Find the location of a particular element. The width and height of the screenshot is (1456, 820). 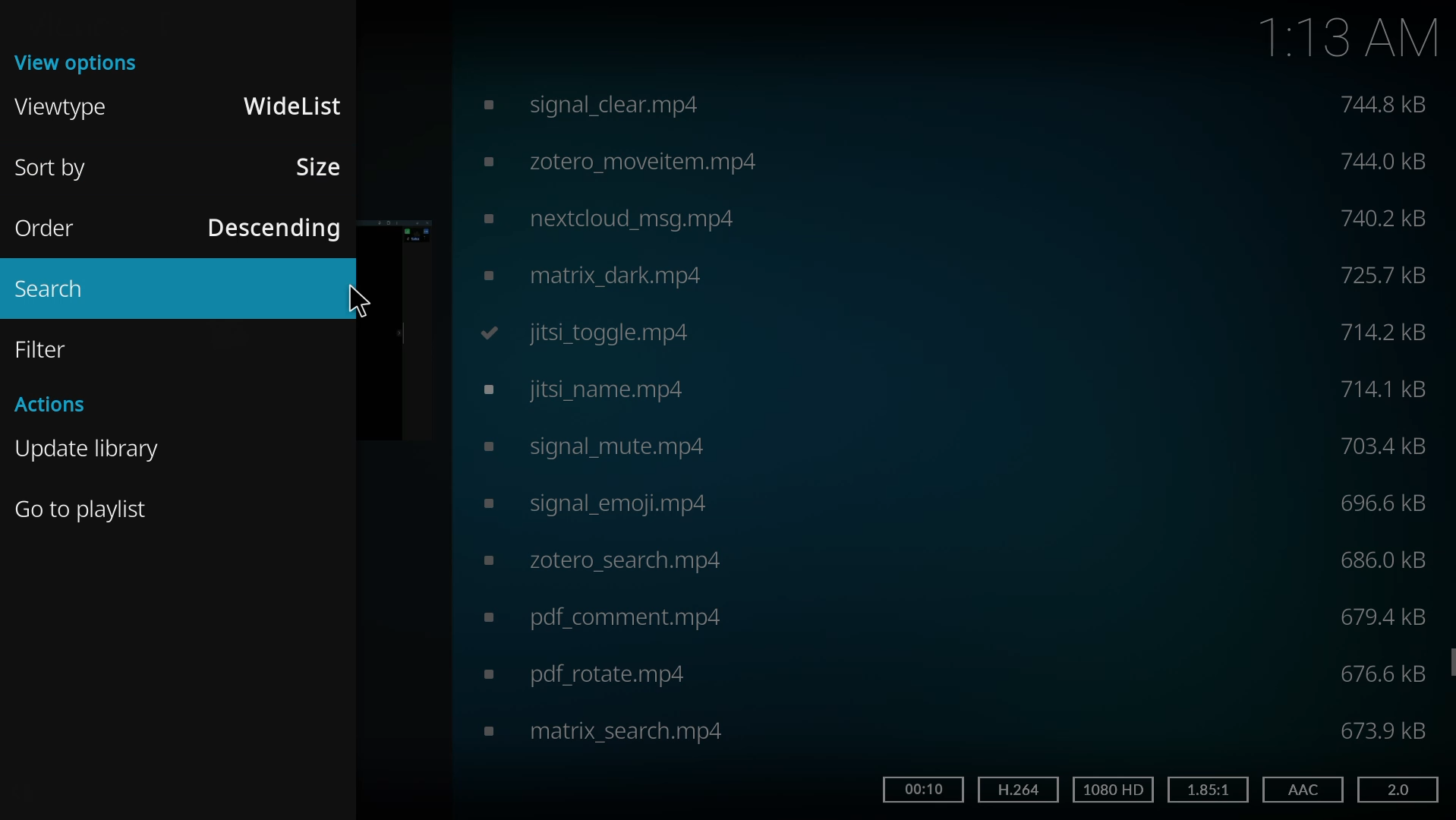

video is located at coordinates (594, 333).